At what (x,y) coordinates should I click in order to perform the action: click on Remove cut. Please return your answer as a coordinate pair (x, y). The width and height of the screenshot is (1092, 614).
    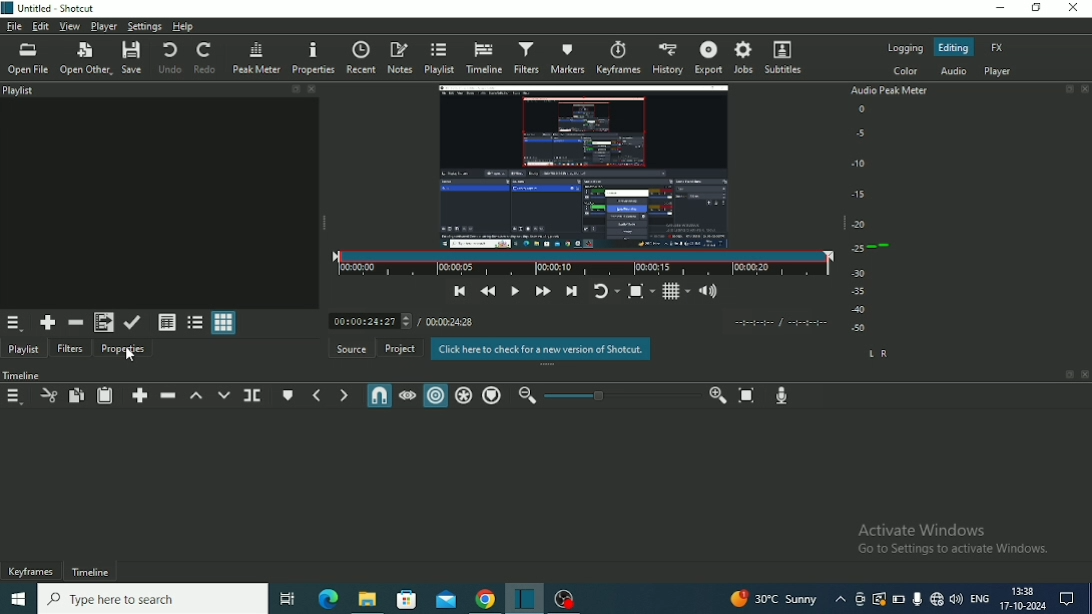
    Looking at the image, I should click on (75, 322).